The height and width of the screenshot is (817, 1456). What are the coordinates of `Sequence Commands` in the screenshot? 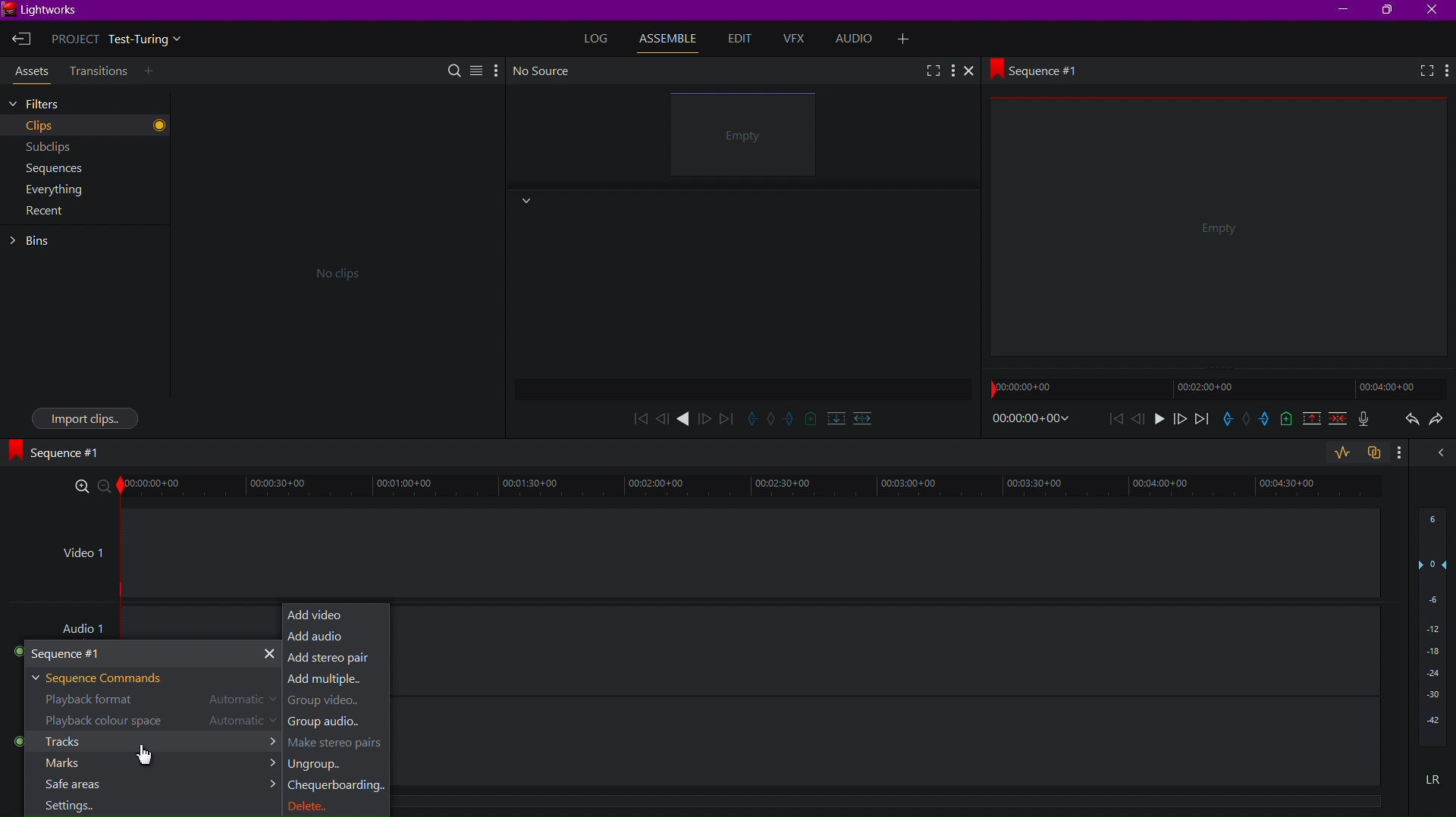 It's located at (105, 677).